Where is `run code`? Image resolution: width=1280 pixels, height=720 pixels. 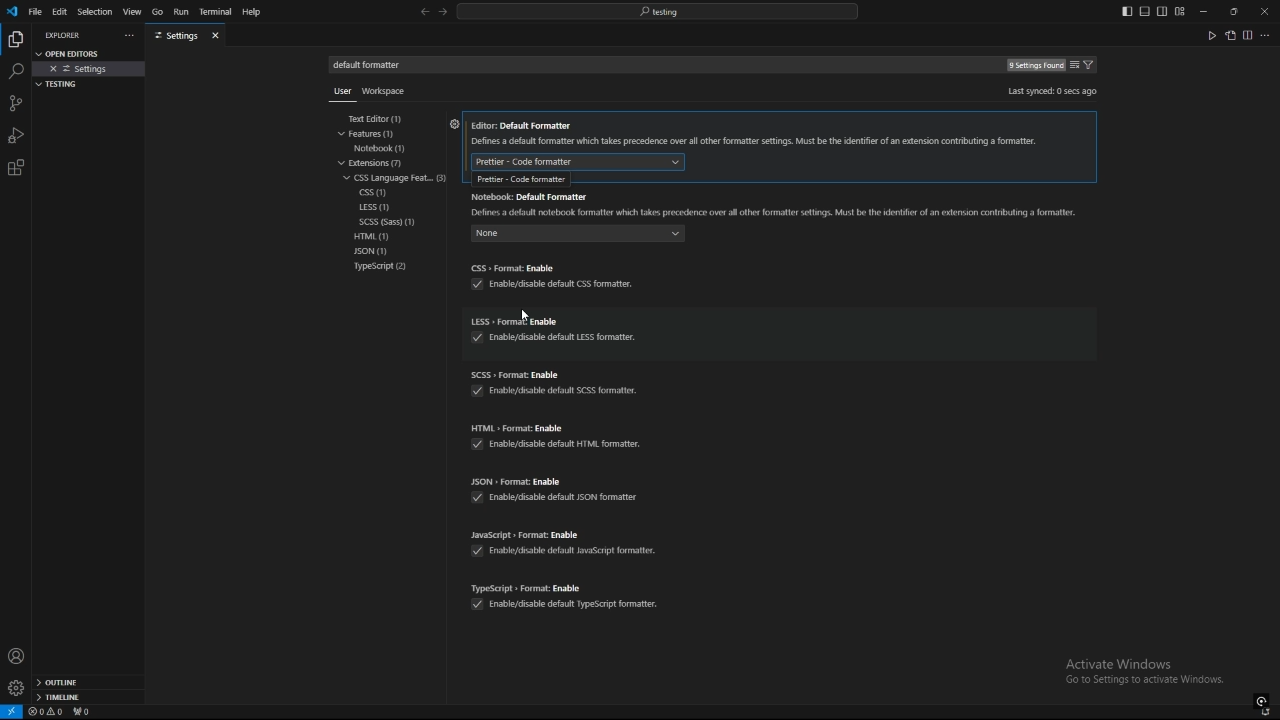 run code is located at coordinates (1211, 35).